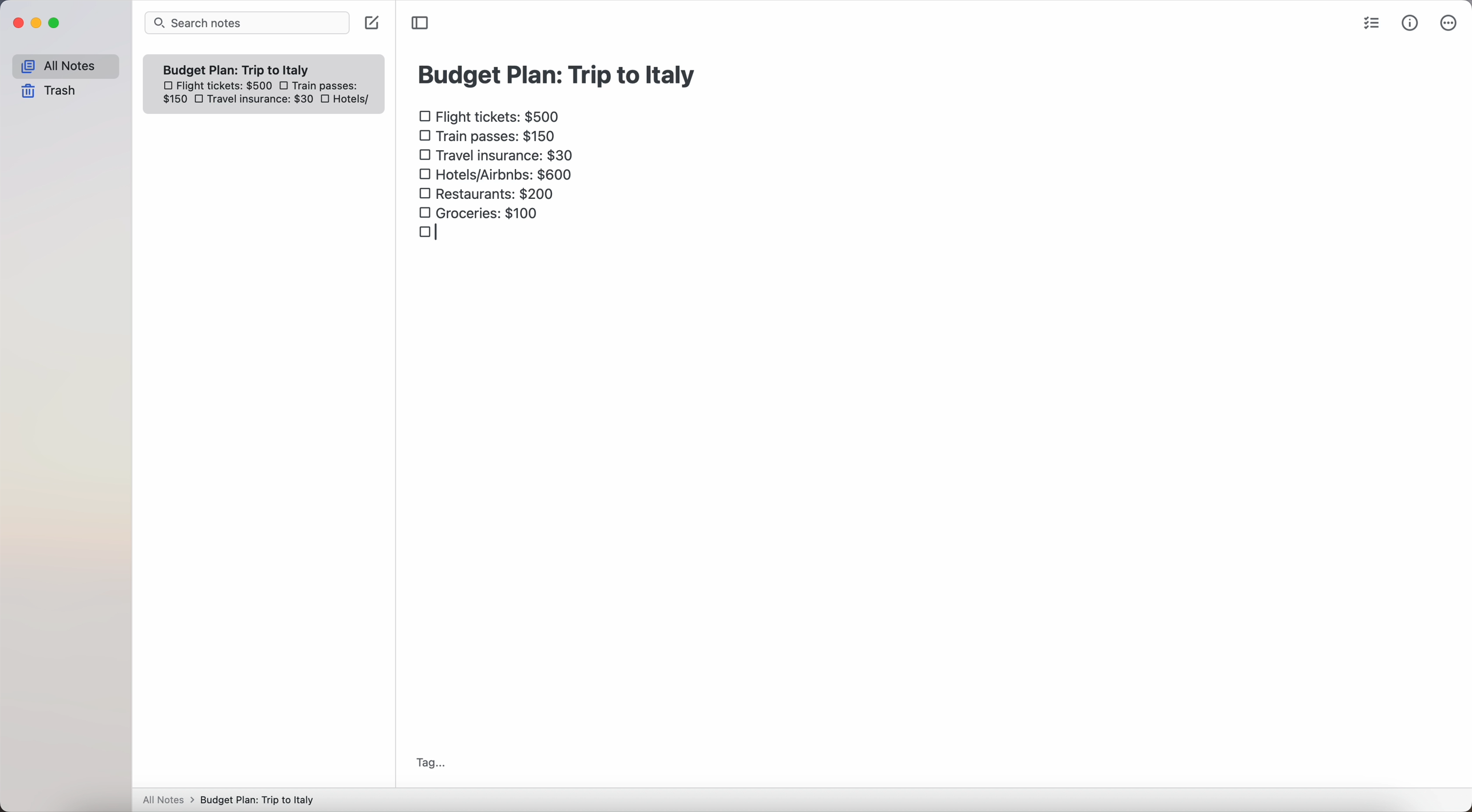  I want to click on check list, so click(1375, 25).